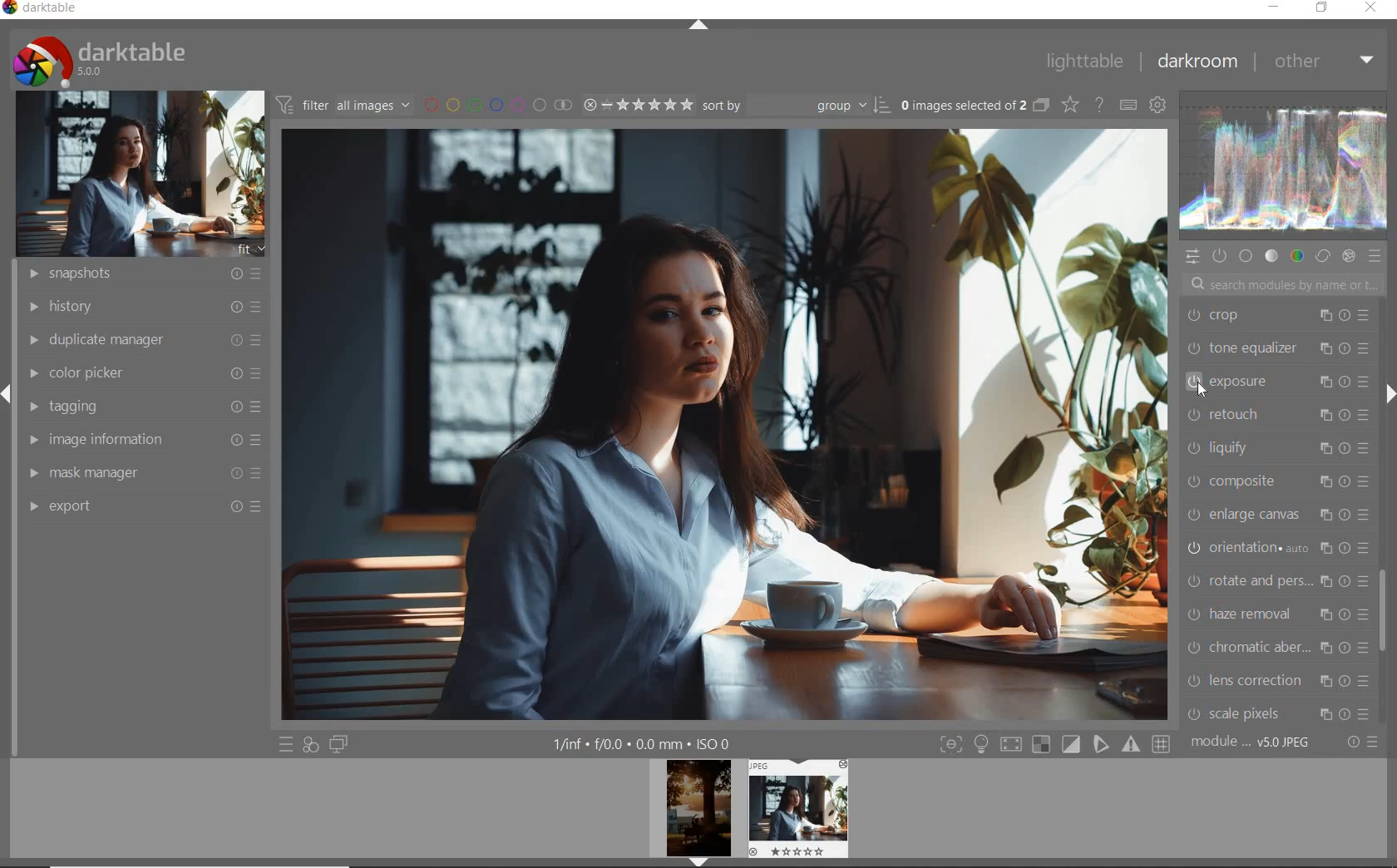 The height and width of the screenshot is (868, 1397). What do you see at coordinates (1276, 413) in the screenshot?
I see `RETOUCH` at bounding box center [1276, 413].